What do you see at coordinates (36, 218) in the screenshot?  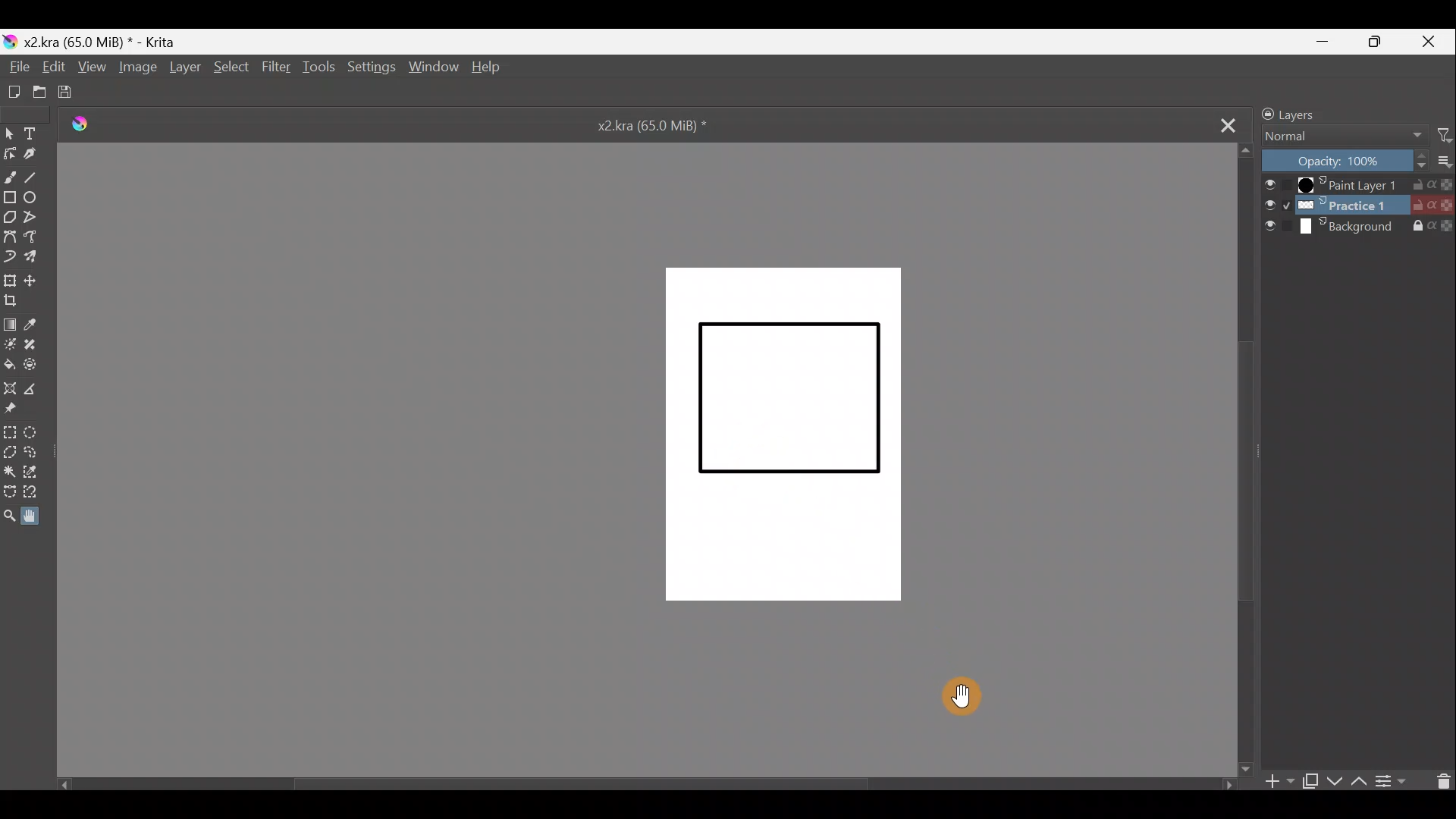 I see `Polyline tool` at bounding box center [36, 218].